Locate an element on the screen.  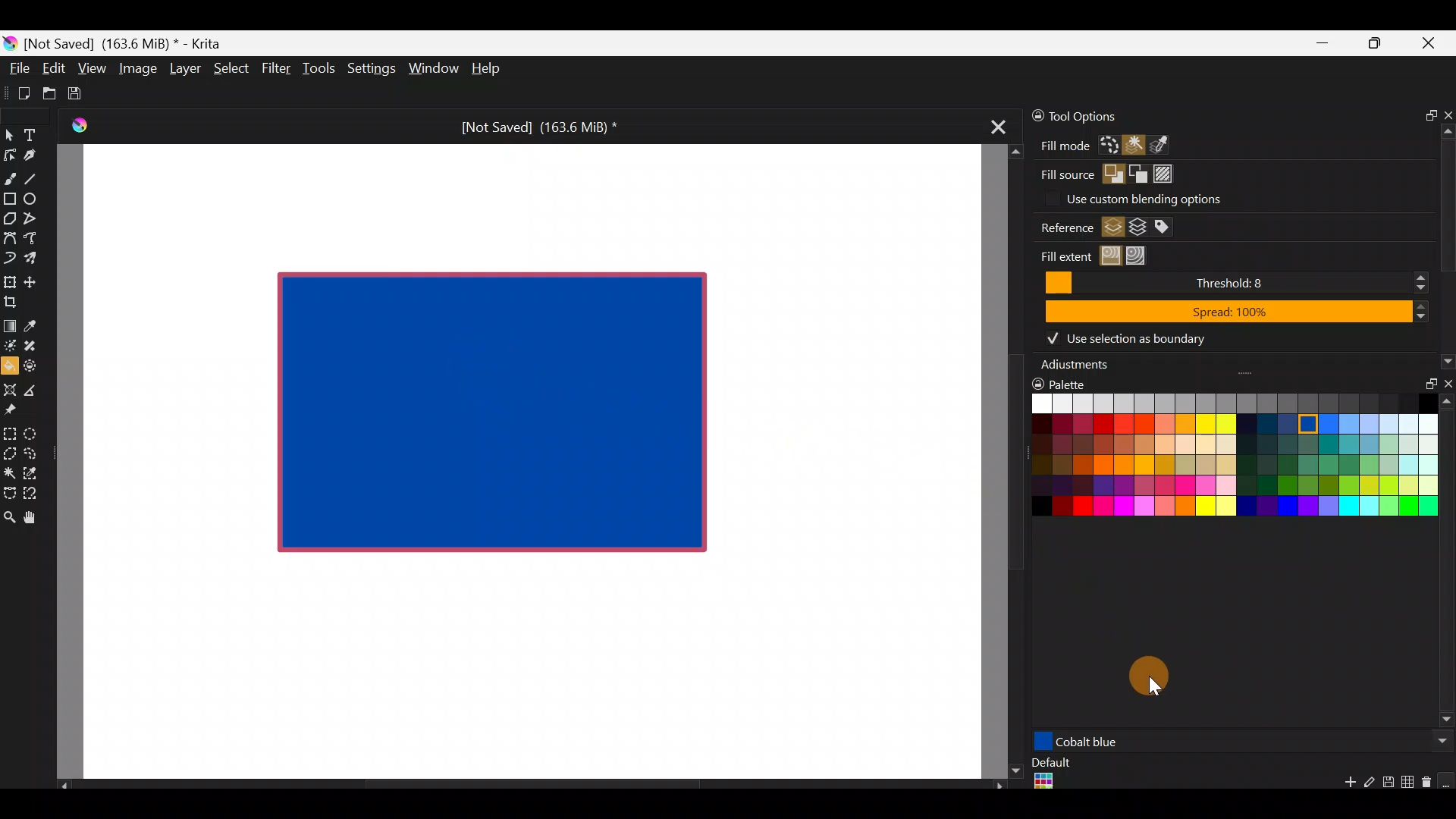
Elliptical selection tool is located at coordinates (33, 433).